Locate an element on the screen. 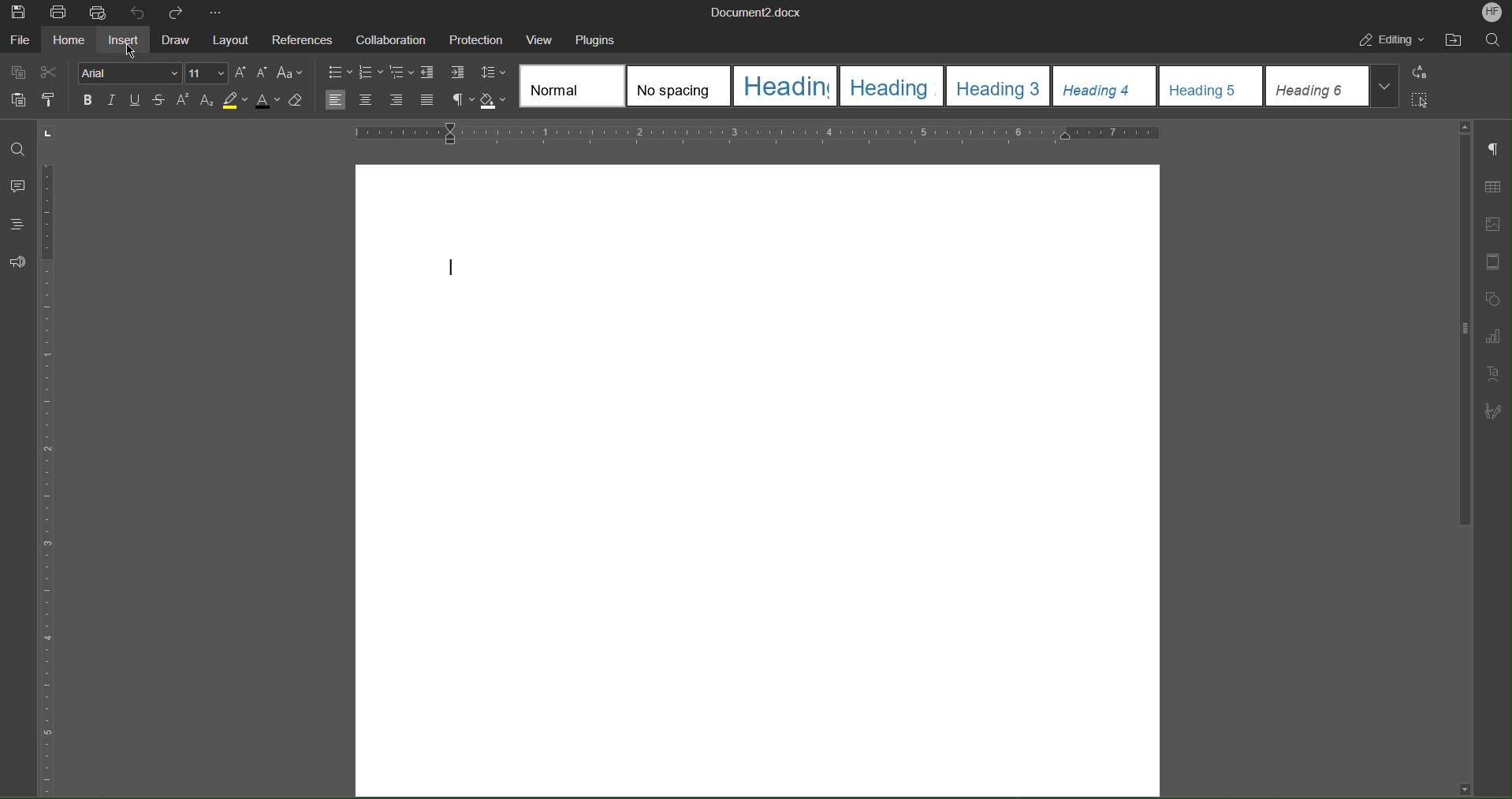 The height and width of the screenshot is (799, 1512). Undo is located at coordinates (136, 12).